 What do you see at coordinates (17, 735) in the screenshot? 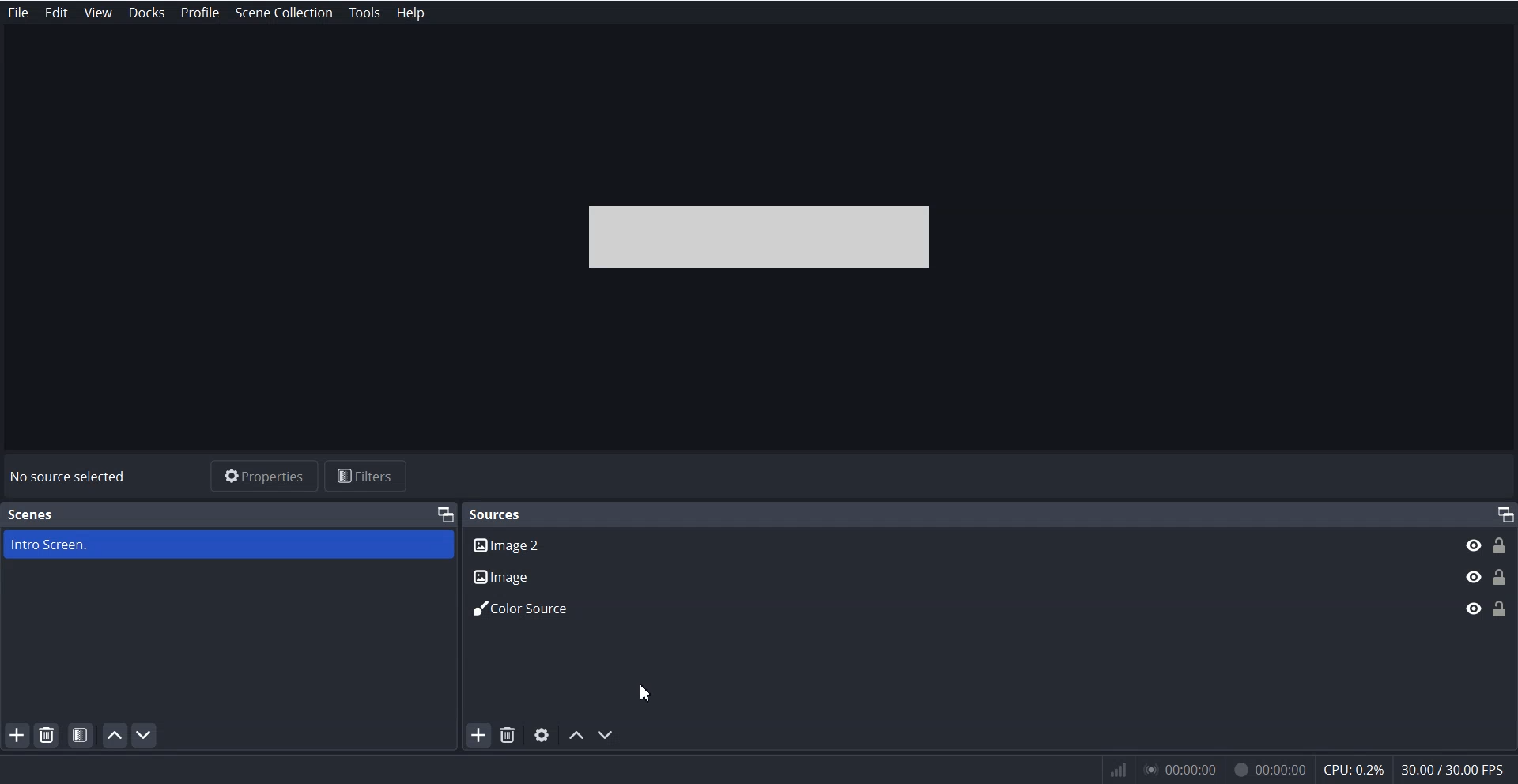
I see `Add Scene` at bounding box center [17, 735].